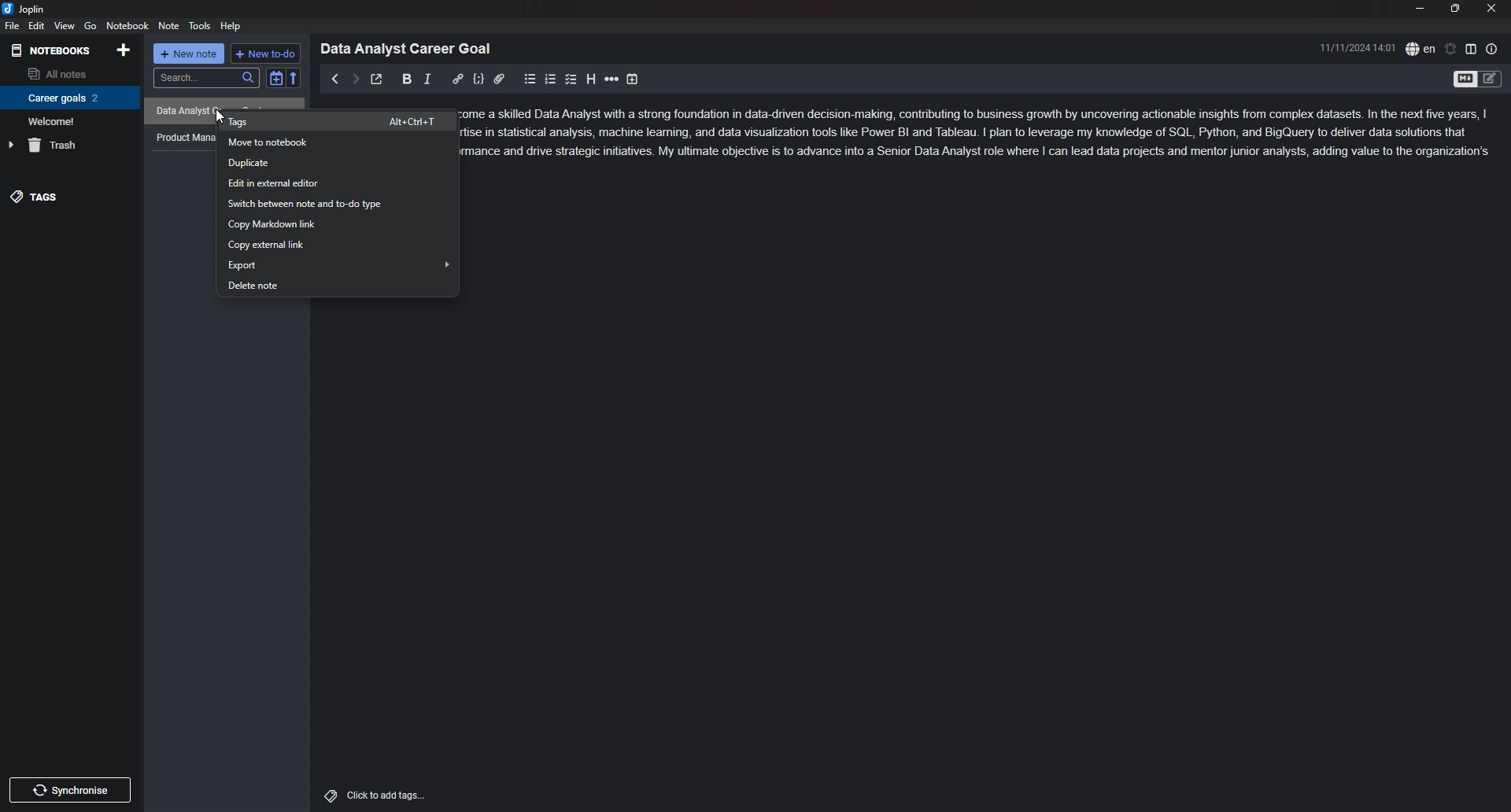 The width and height of the screenshot is (1511, 812). Describe the element at coordinates (1464, 80) in the screenshot. I see `toggle editor` at that location.